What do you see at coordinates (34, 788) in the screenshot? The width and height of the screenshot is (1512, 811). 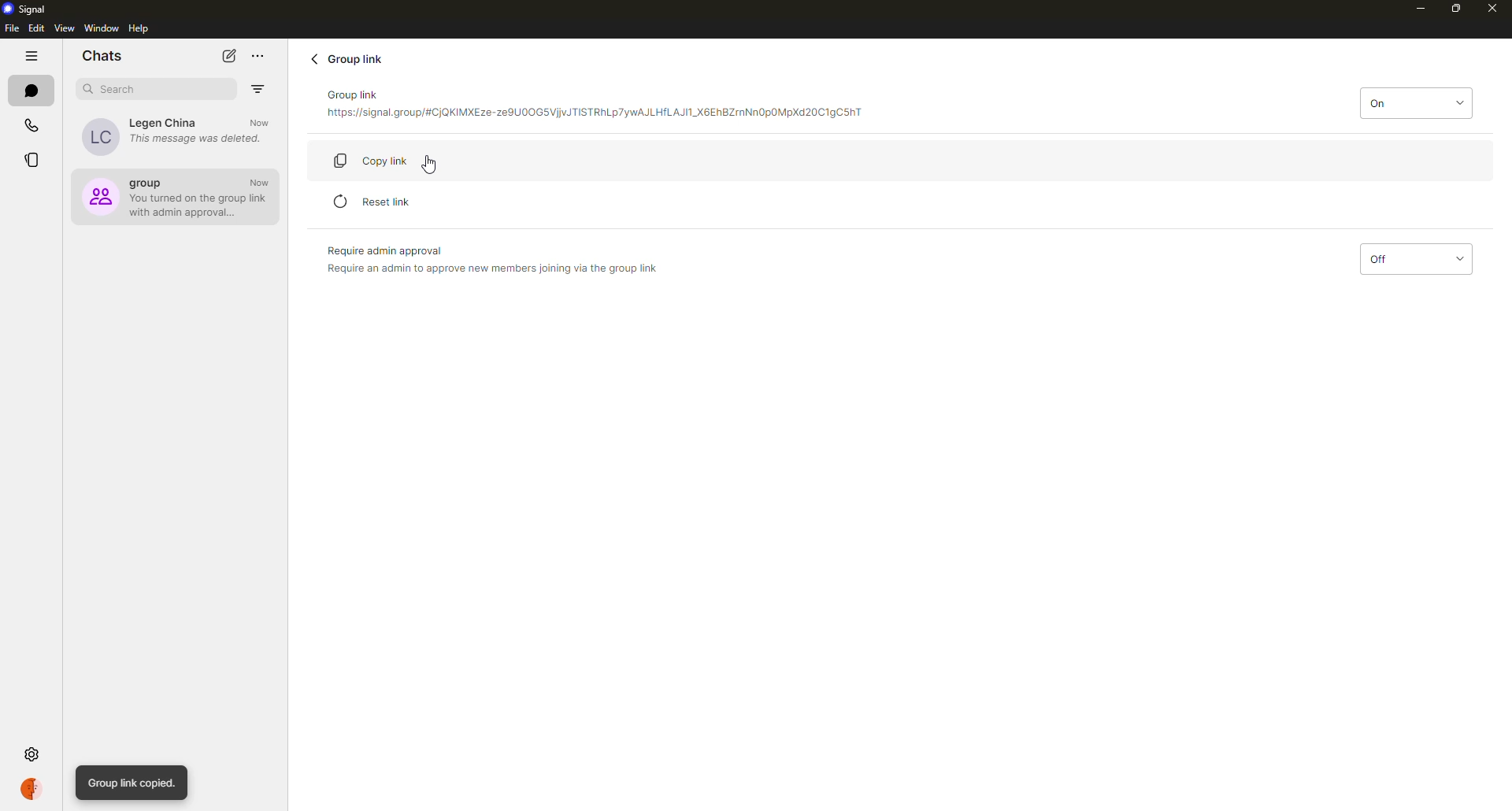 I see `profile` at bounding box center [34, 788].